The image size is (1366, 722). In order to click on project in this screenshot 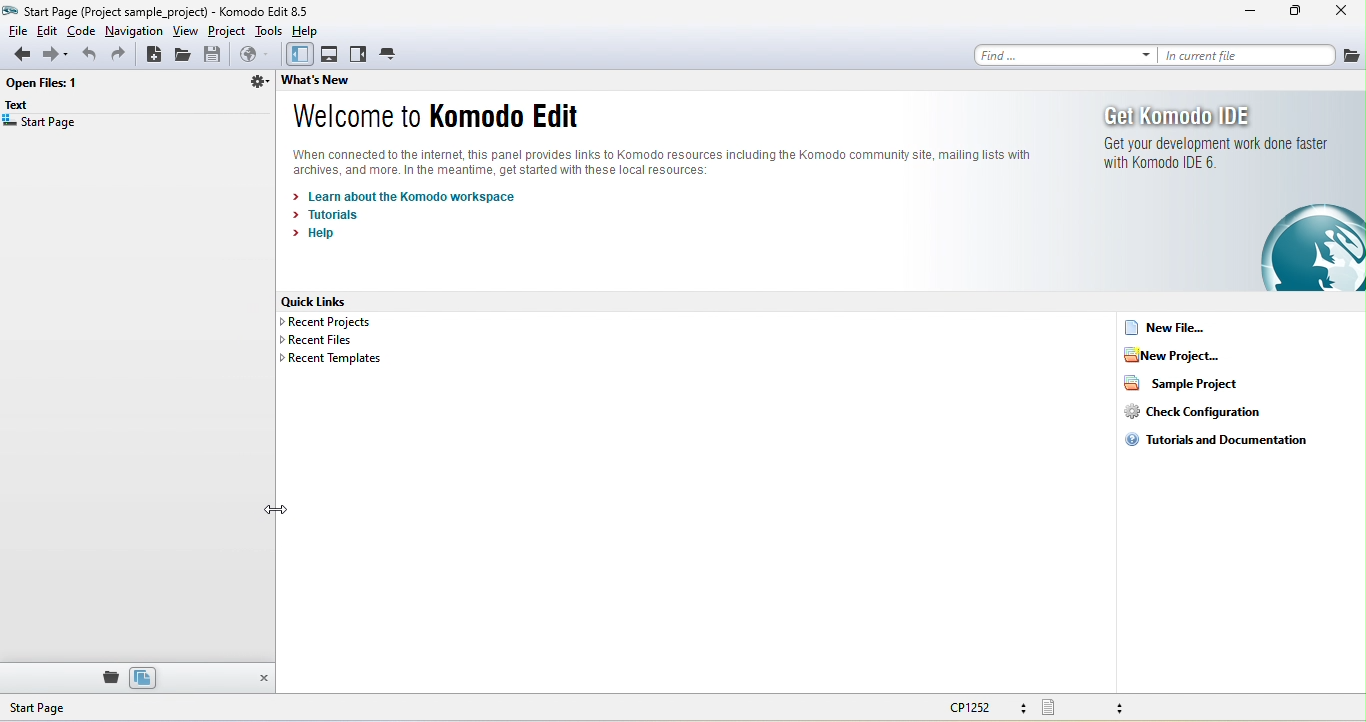, I will do `click(228, 31)`.